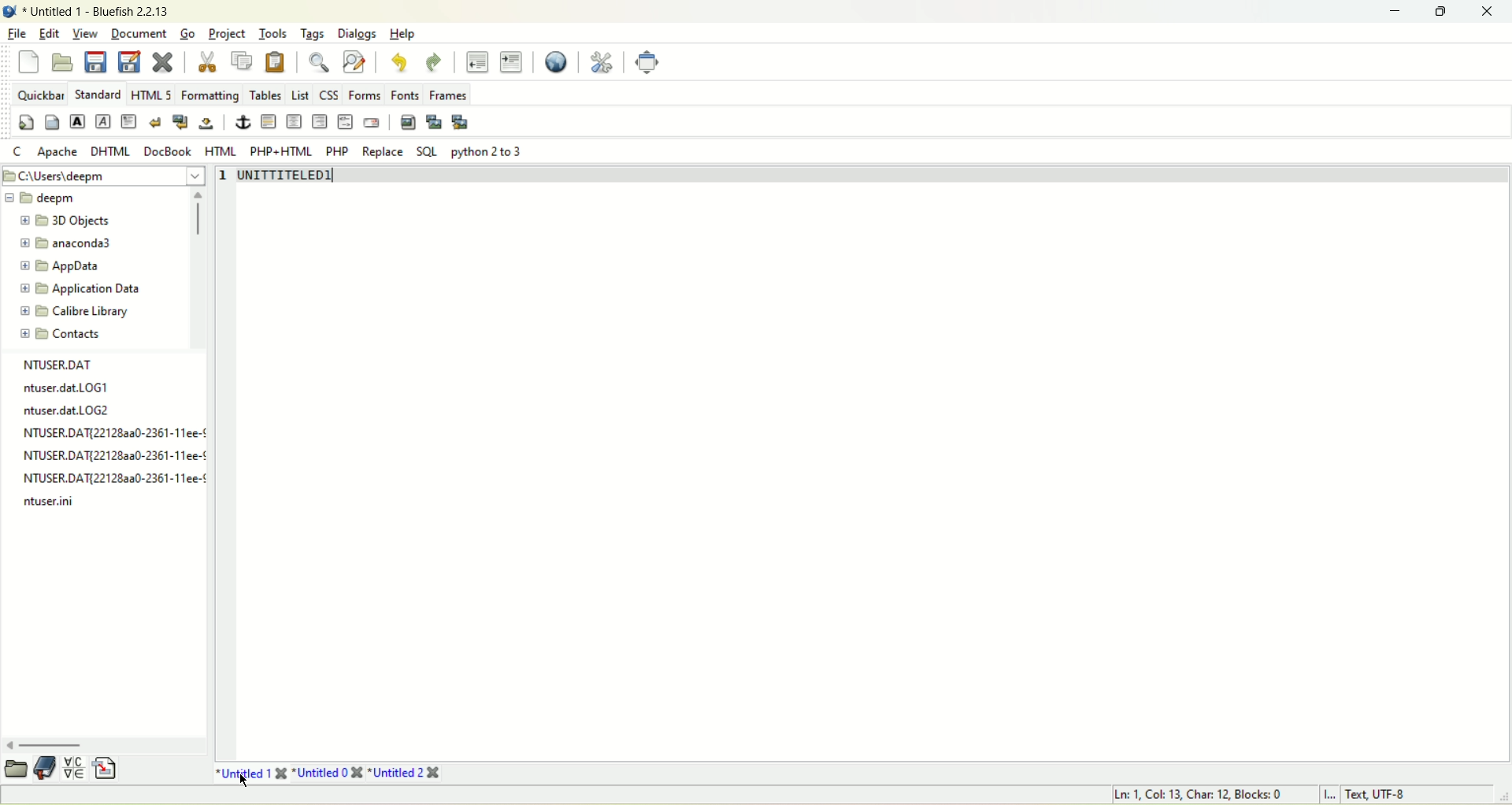 The height and width of the screenshot is (805, 1512). I want to click on PHP+HTML, so click(279, 150).